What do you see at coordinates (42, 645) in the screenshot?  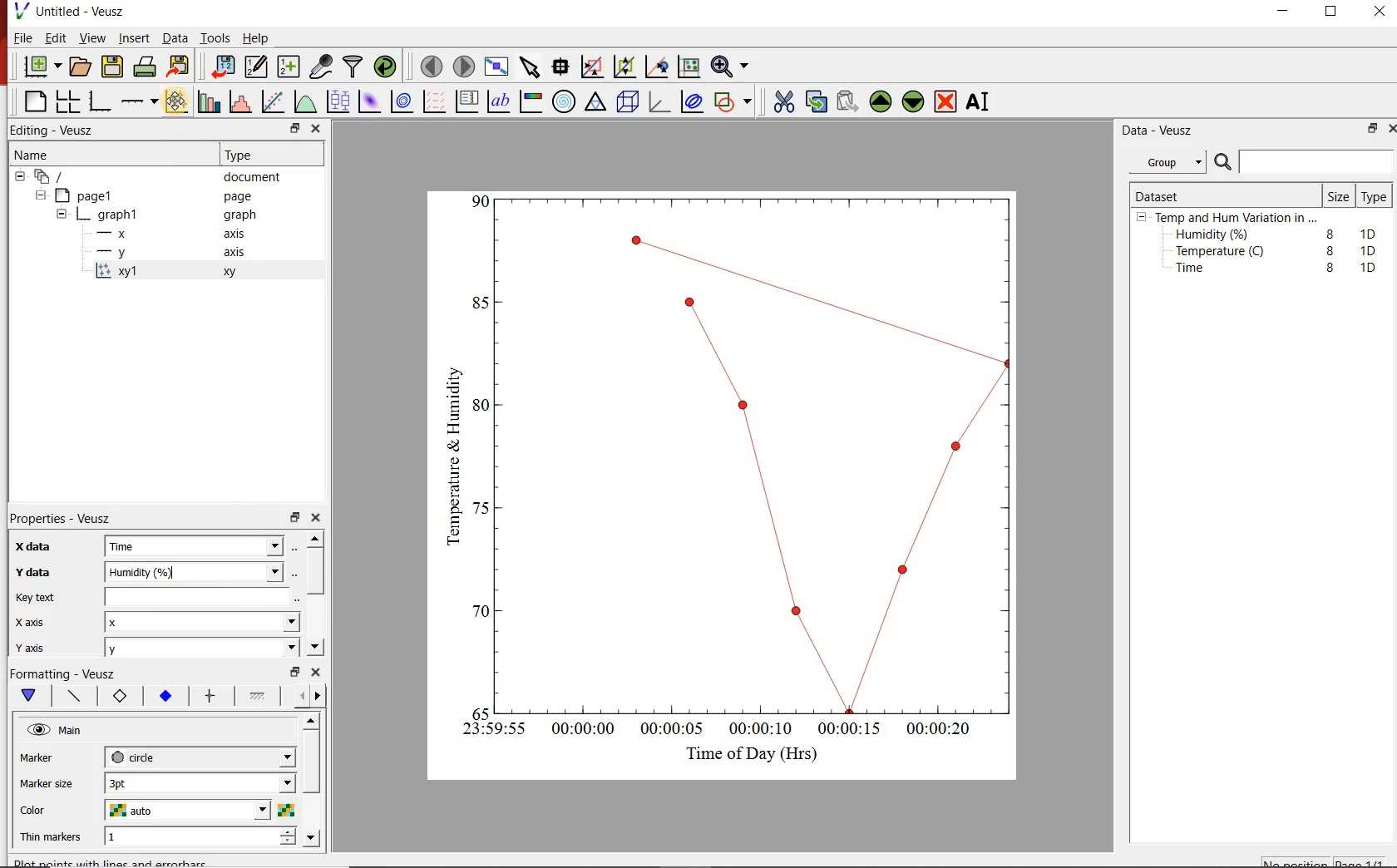 I see `y axis` at bounding box center [42, 645].